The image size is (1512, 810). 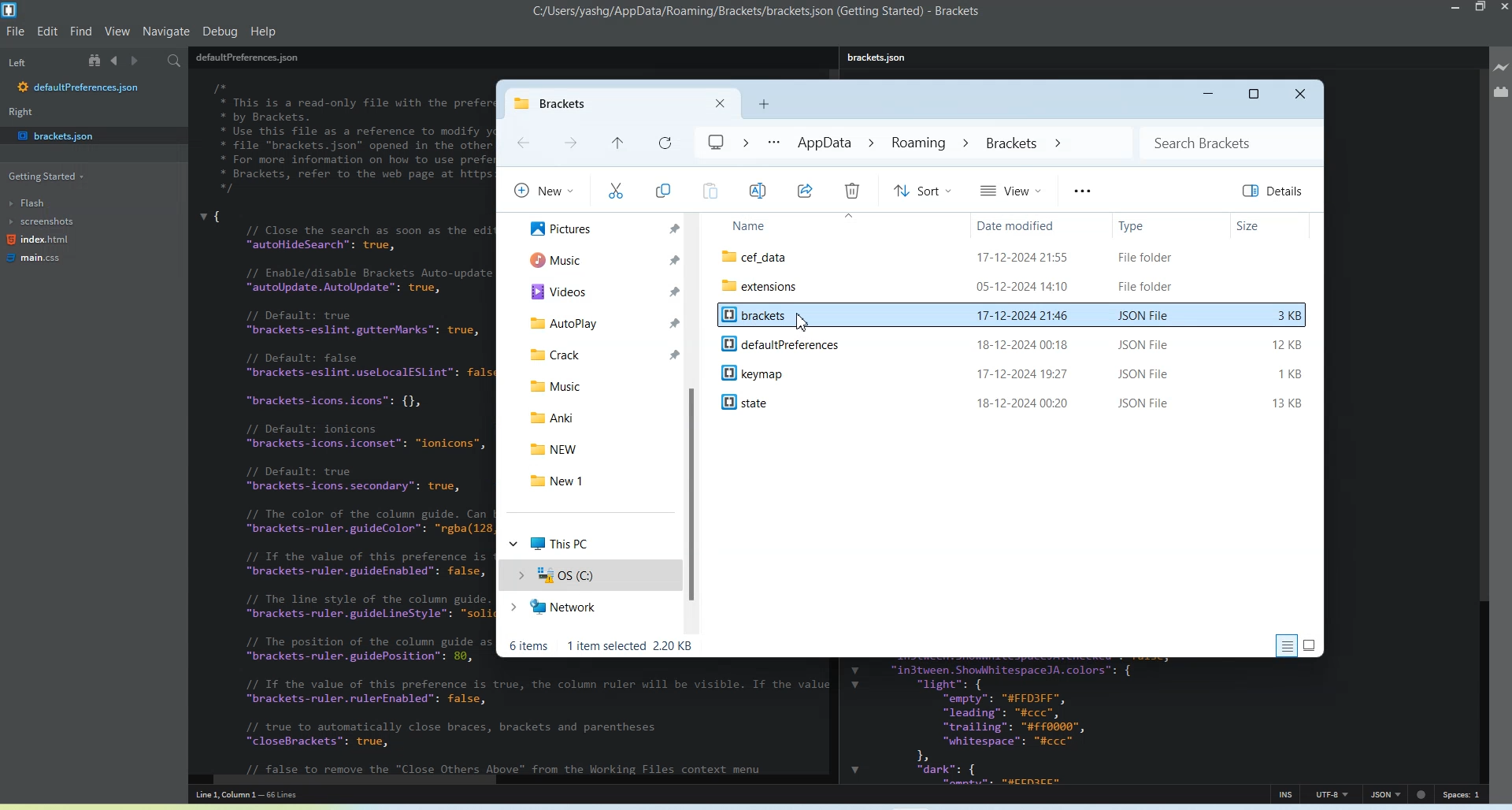 What do you see at coordinates (43, 177) in the screenshot?
I see `Getting Started` at bounding box center [43, 177].